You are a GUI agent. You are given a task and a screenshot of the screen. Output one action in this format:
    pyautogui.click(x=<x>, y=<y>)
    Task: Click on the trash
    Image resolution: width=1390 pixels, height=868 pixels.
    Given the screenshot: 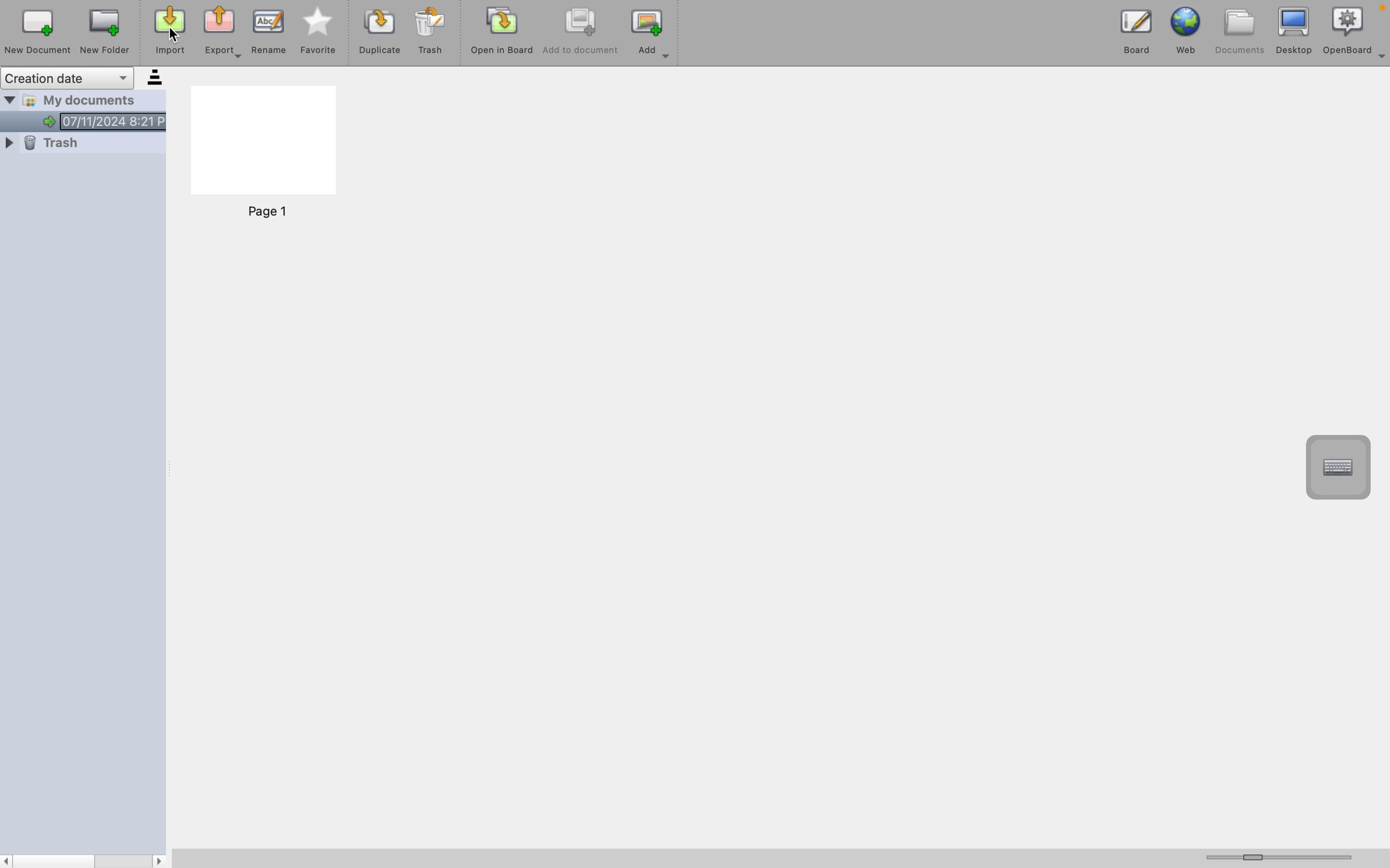 What is the action you would take?
    pyautogui.click(x=432, y=33)
    